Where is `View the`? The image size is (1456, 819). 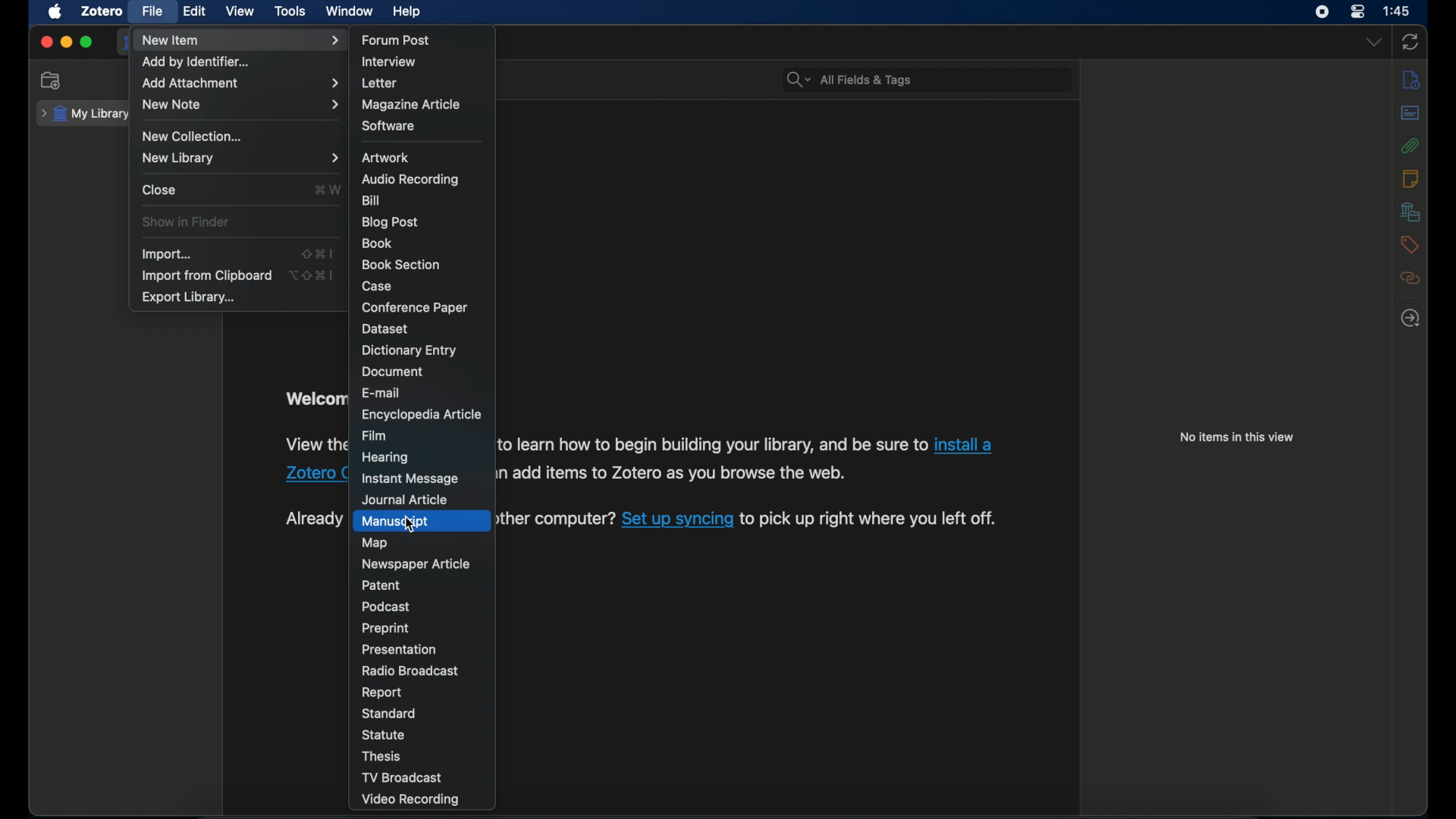
View the is located at coordinates (315, 444).